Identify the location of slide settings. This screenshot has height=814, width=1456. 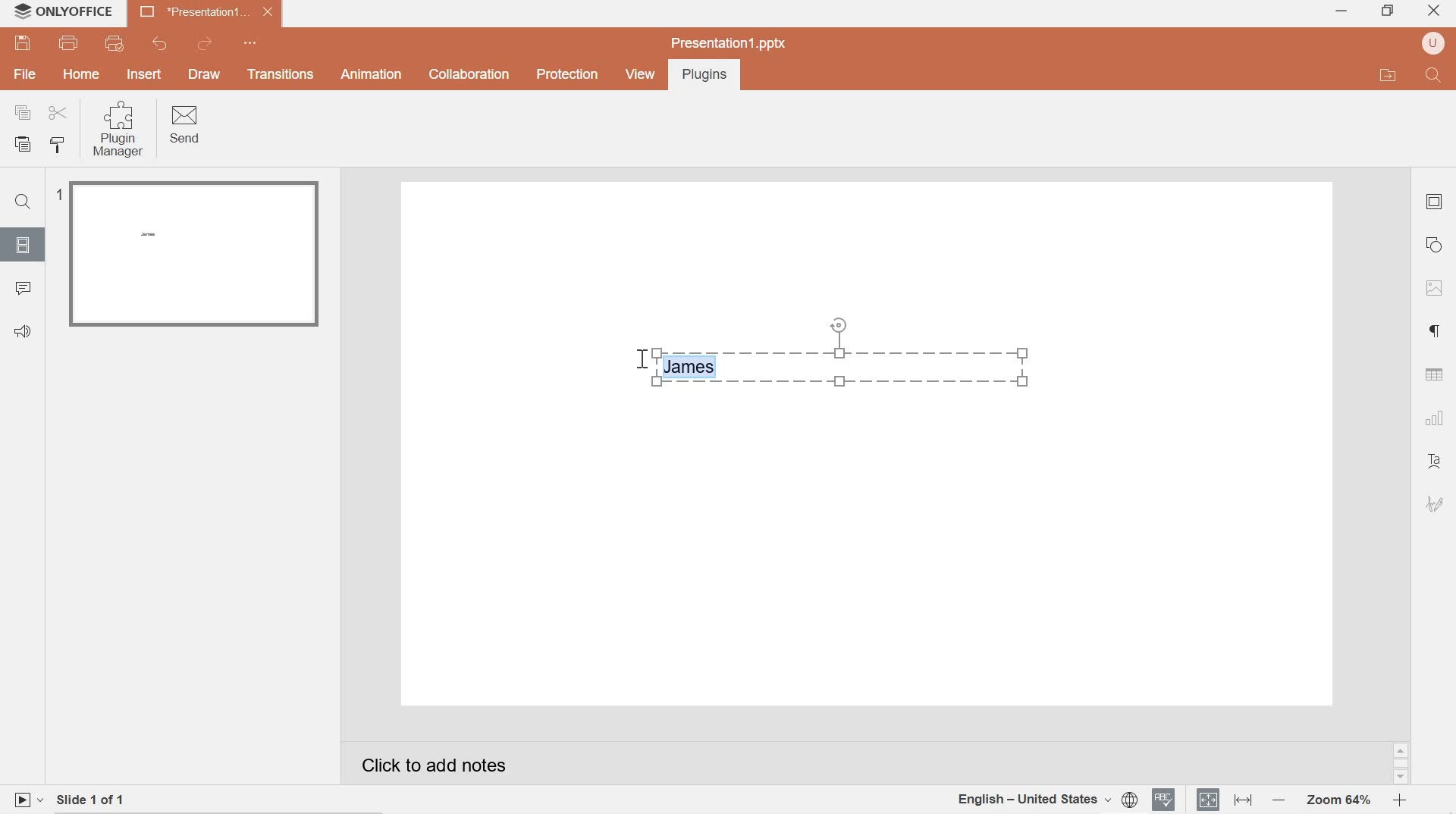
(1434, 202).